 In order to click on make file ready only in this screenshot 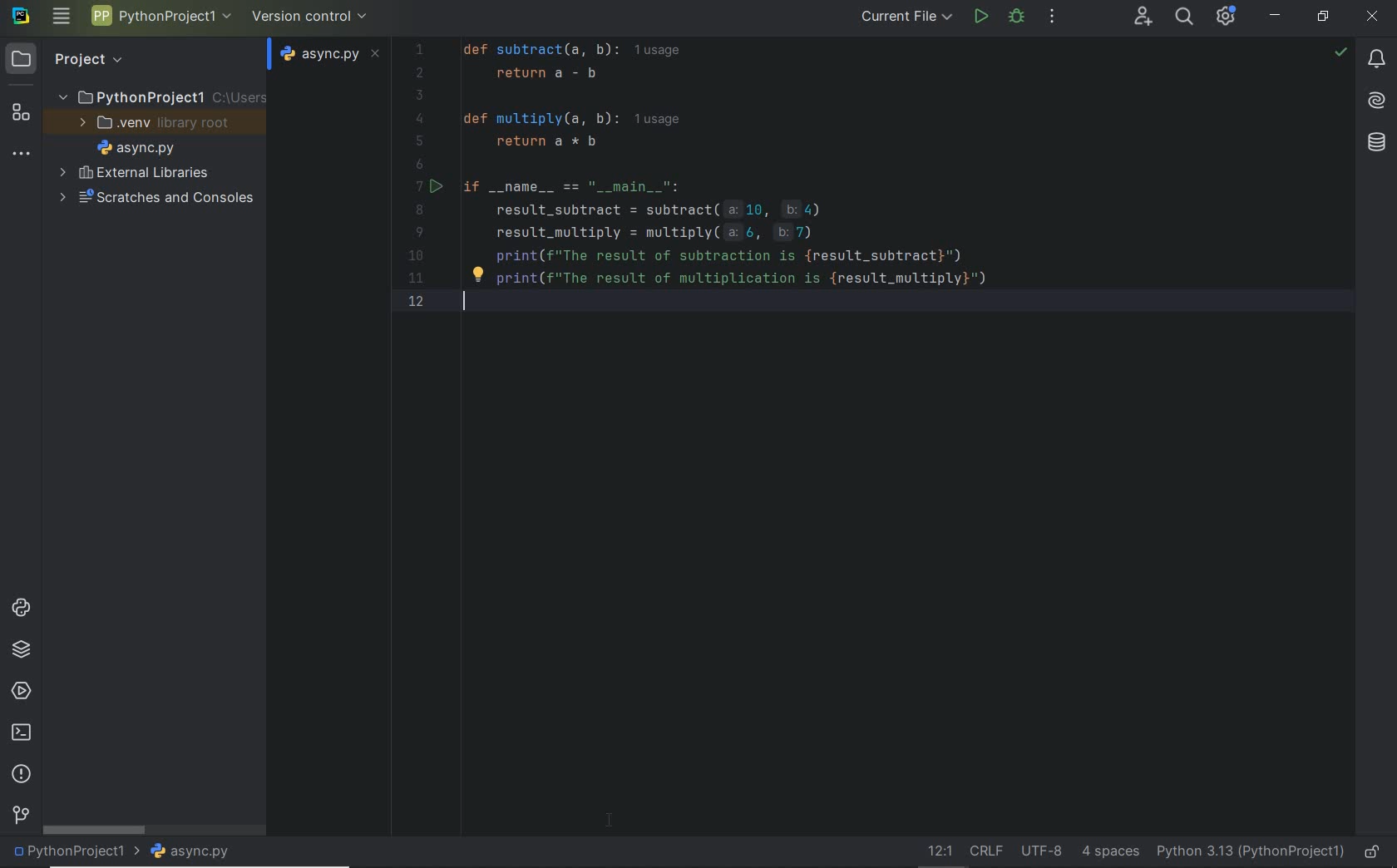, I will do `click(1375, 852)`.